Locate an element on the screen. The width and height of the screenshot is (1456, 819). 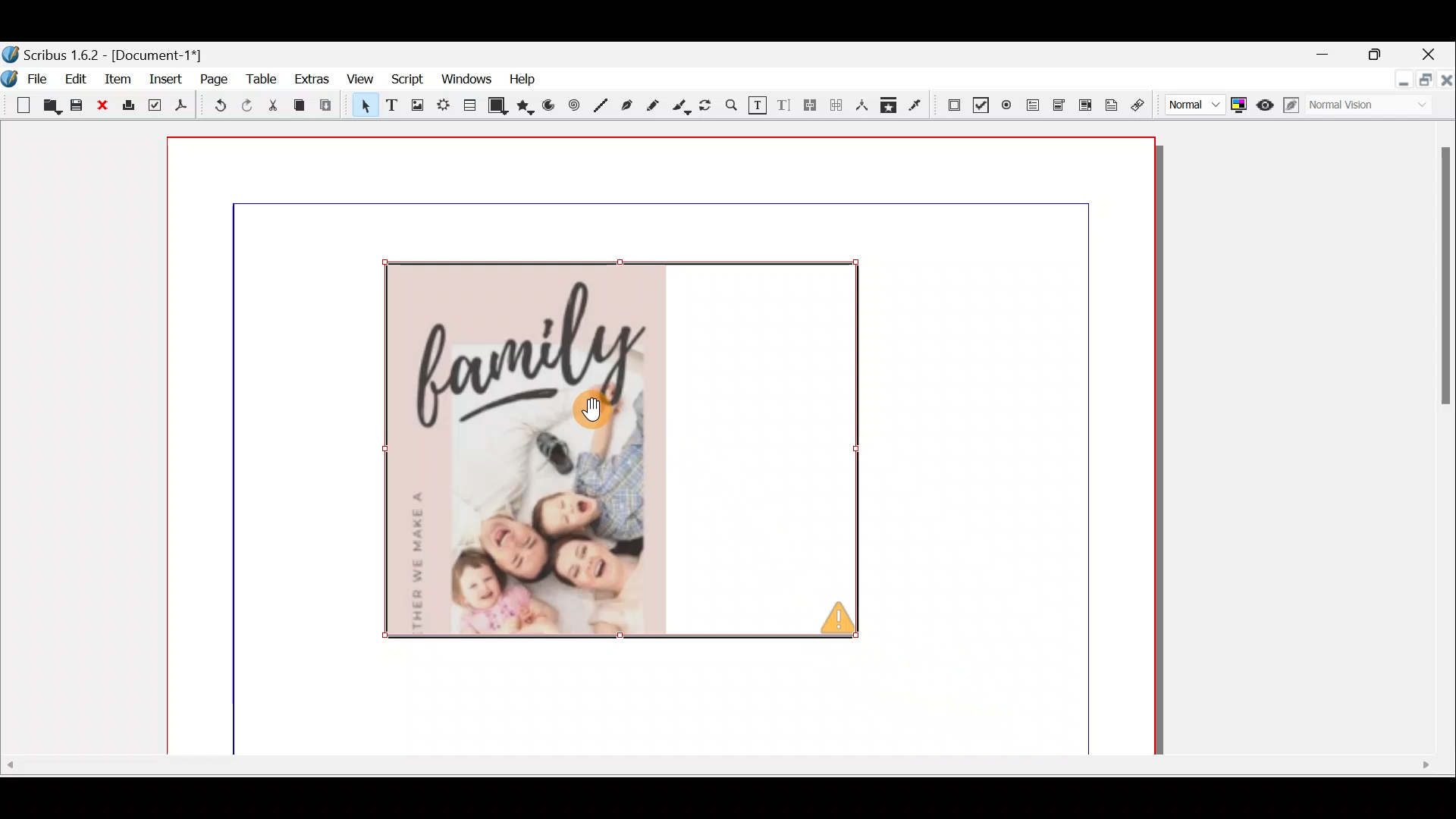
maximise is located at coordinates (1379, 56).